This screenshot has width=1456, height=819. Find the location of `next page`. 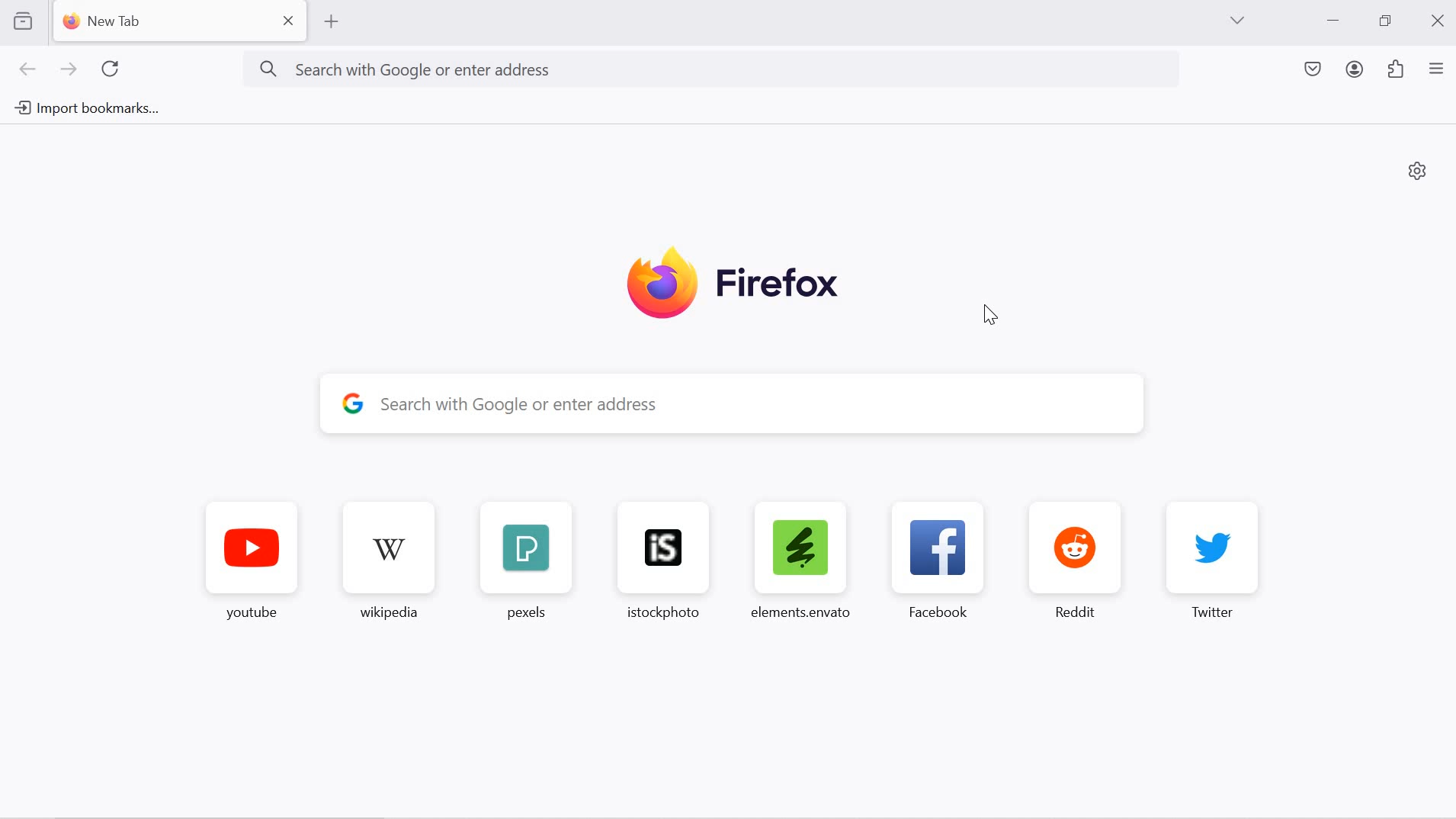

next page is located at coordinates (69, 71).